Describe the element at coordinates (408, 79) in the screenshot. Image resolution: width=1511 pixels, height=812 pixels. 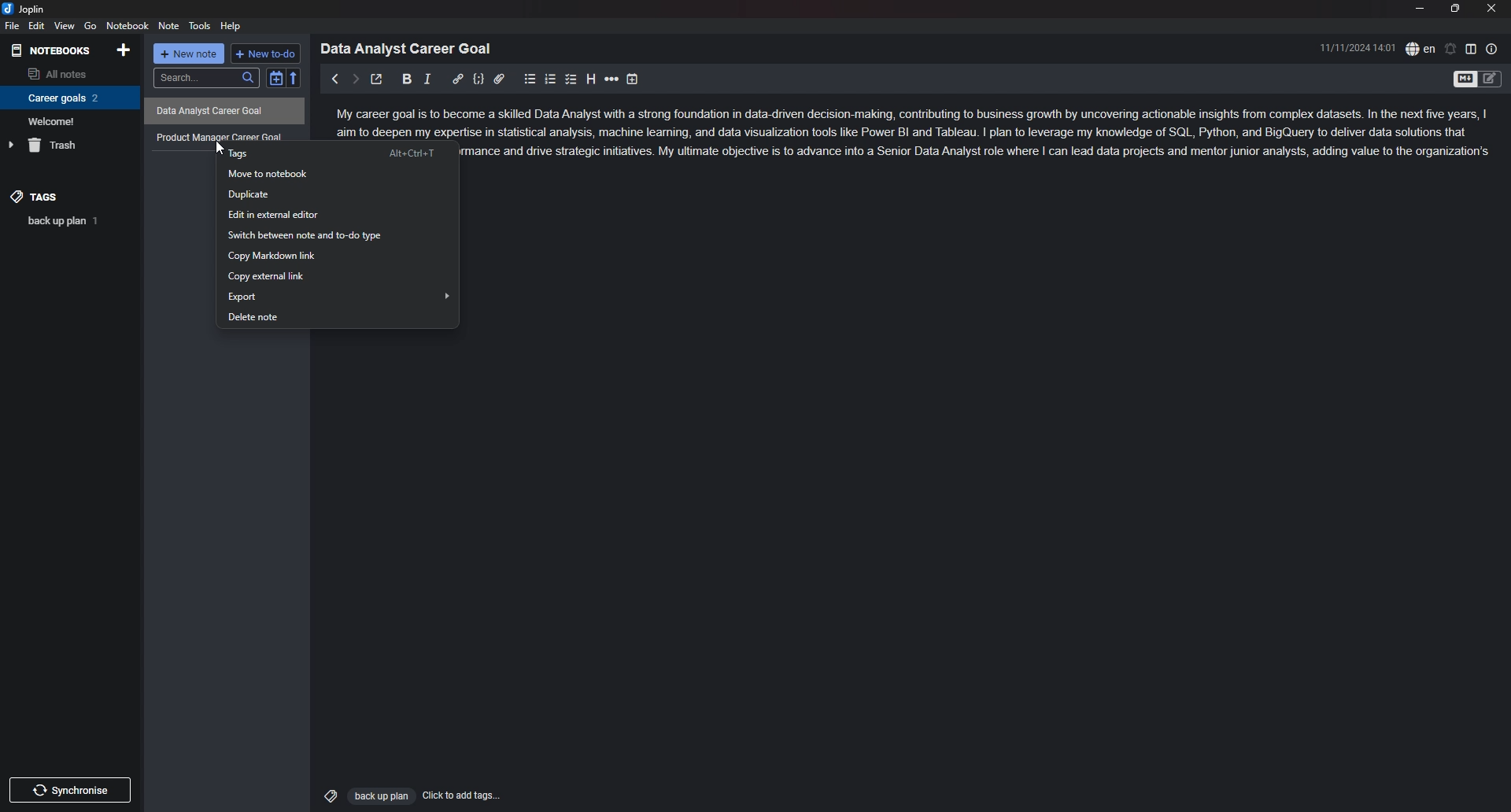
I see `bold` at that location.